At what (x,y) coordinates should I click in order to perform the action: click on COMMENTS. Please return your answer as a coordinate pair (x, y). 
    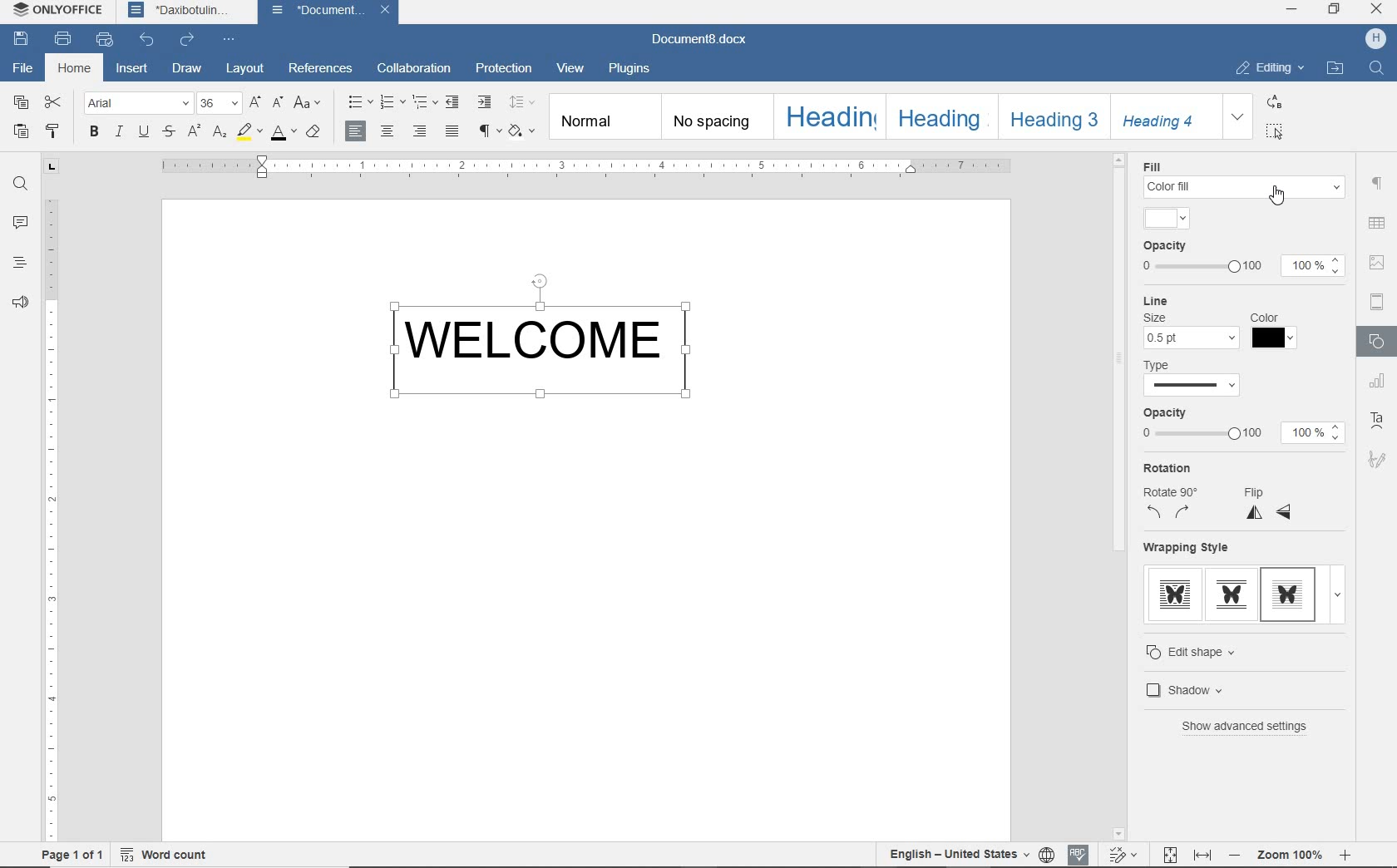
    Looking at the image, I should click on (22, 223).